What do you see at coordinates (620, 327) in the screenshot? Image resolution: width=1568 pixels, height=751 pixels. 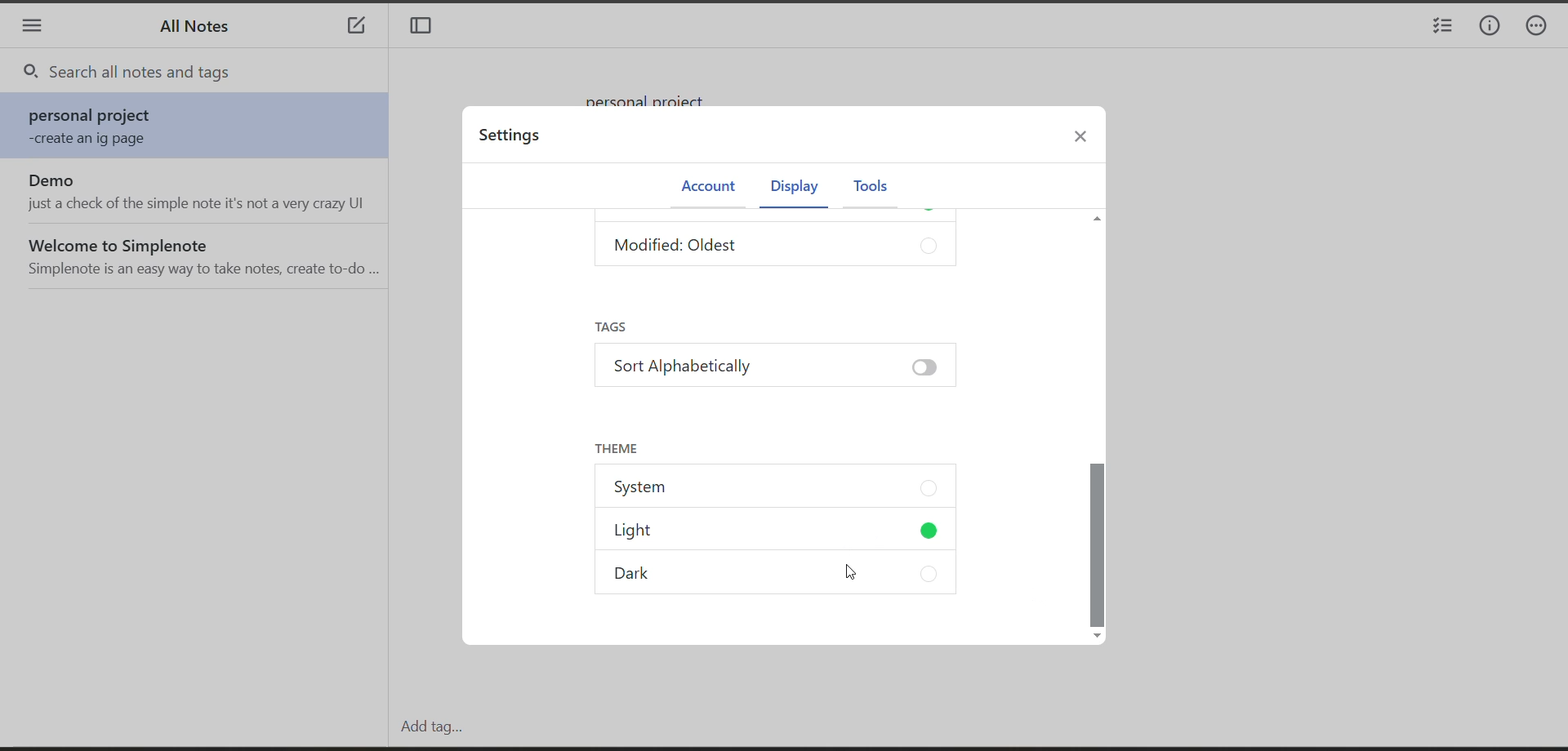 I see `tags` at bounding box center [620, 327].